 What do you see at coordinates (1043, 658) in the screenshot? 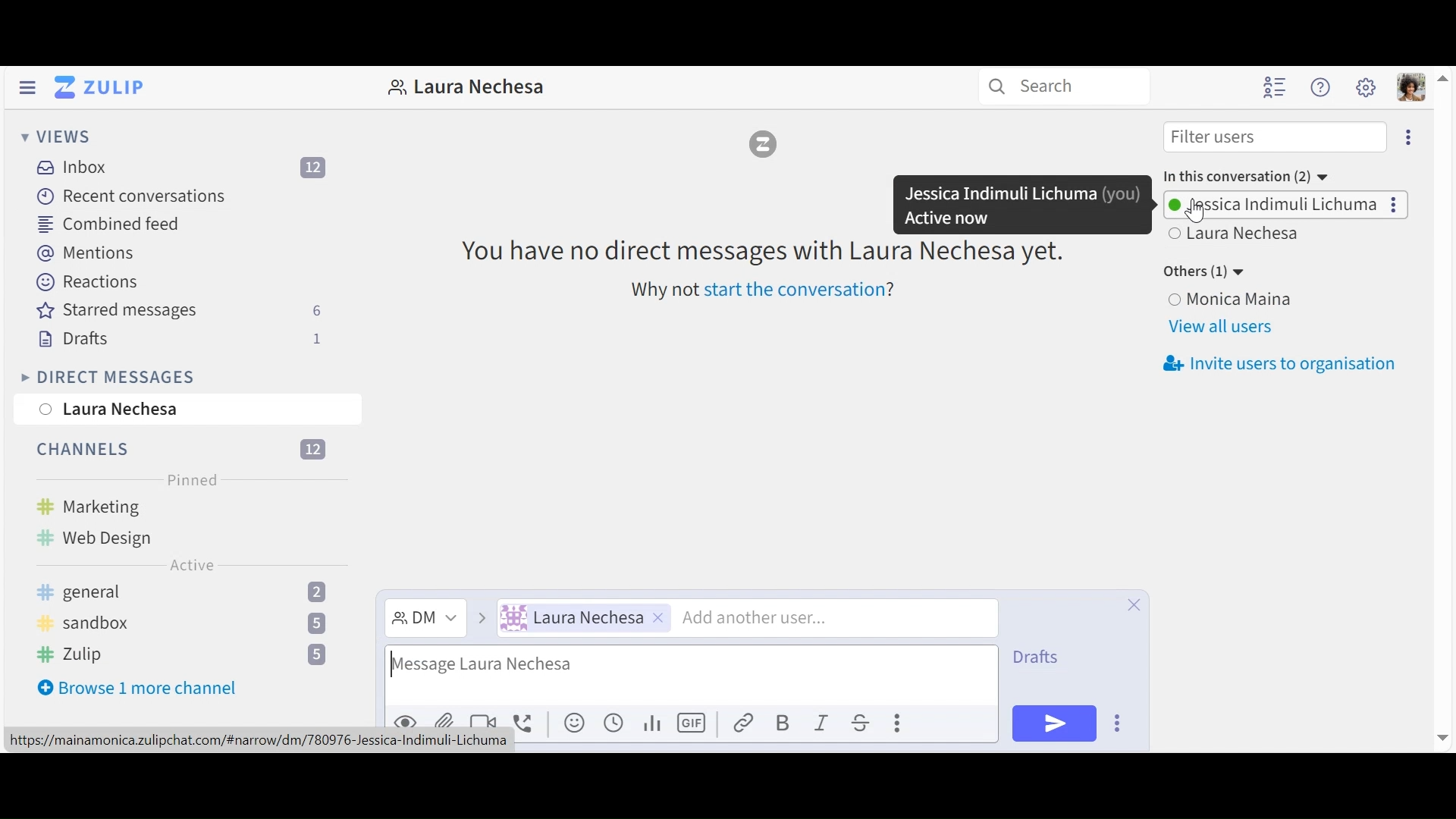
I see `Drafts` at bounding box center [1043, 658].